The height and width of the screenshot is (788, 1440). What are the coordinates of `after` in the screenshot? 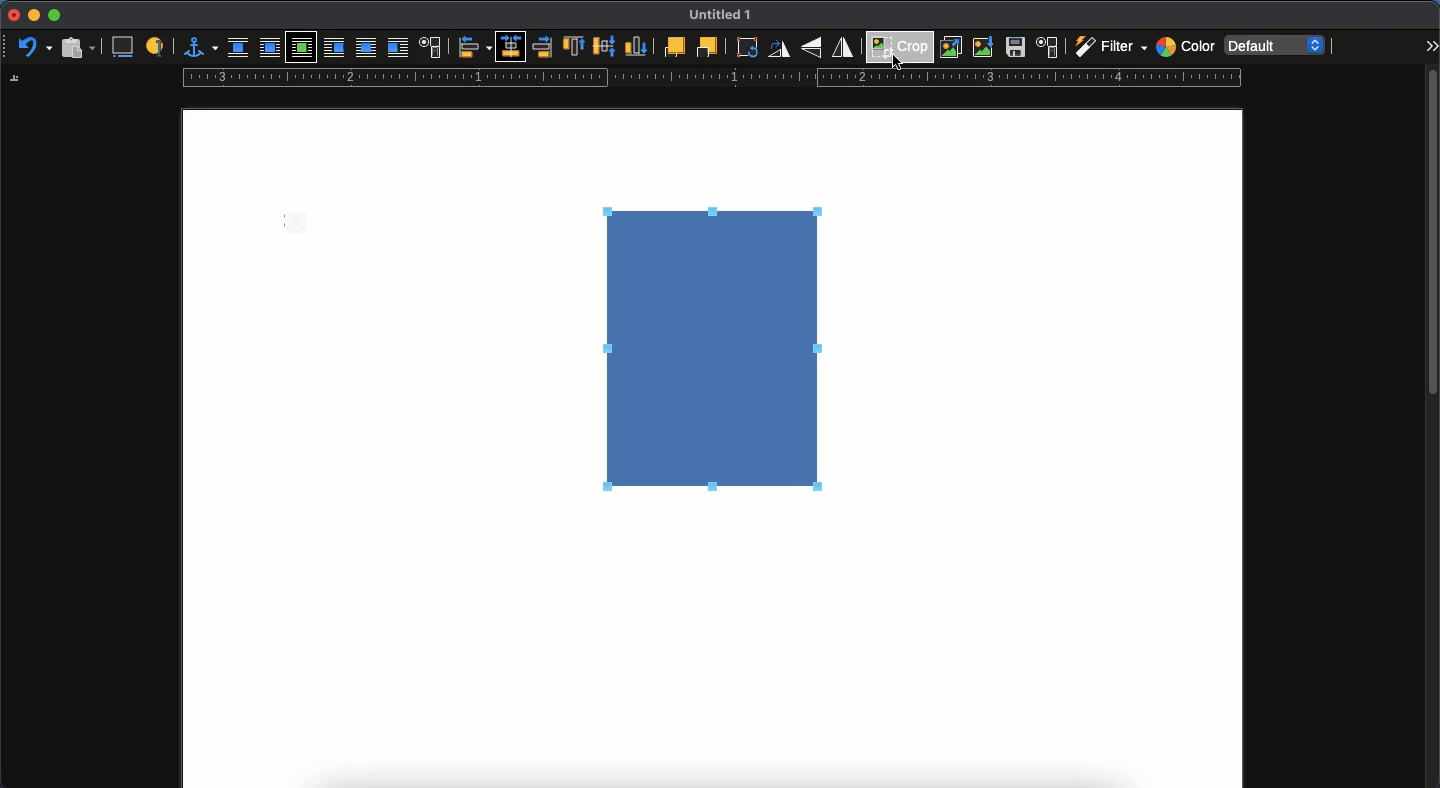 It's located at (397, 50).